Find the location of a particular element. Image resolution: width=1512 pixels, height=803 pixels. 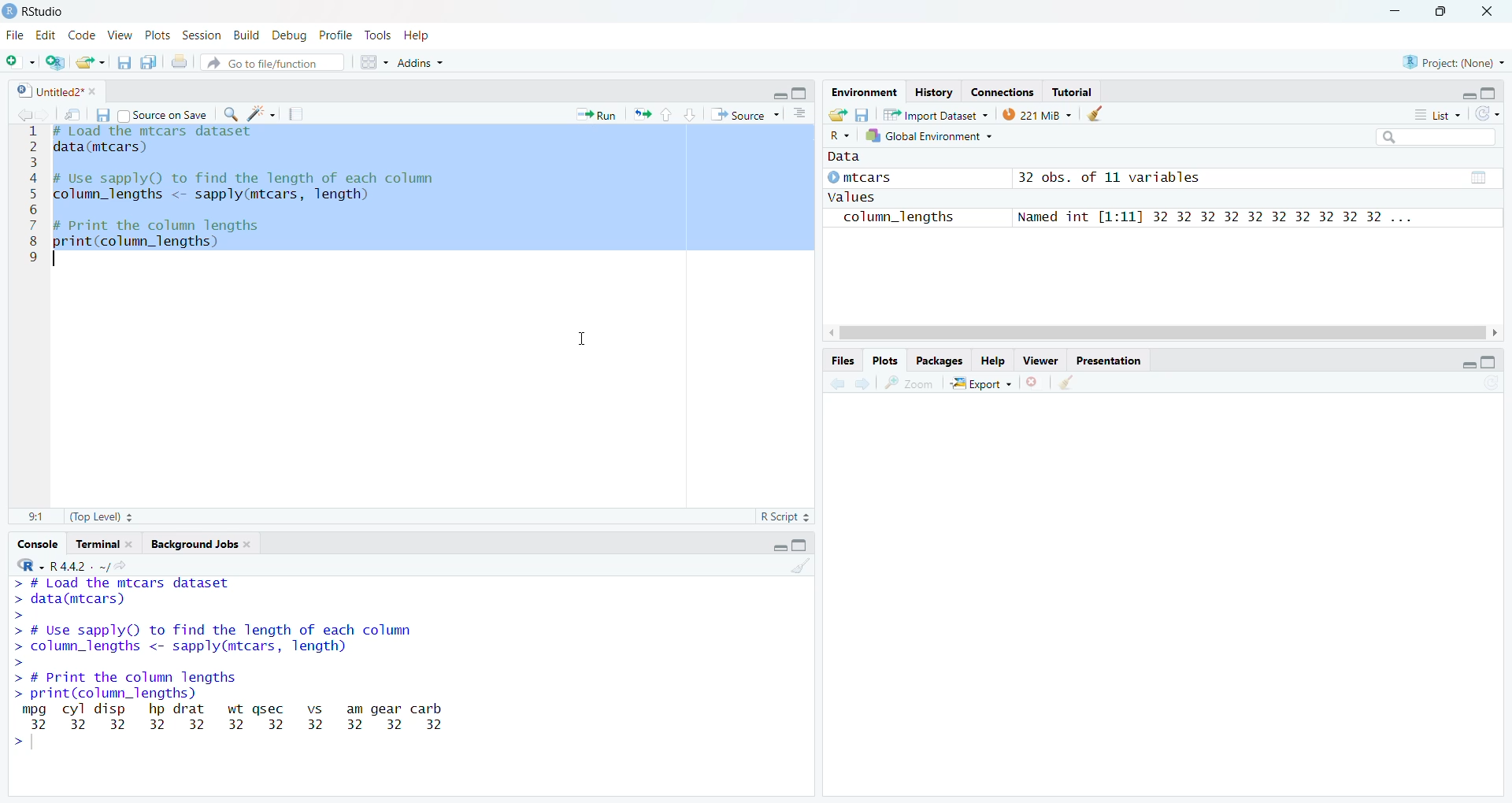

Session is located at coordinates (202, 35).